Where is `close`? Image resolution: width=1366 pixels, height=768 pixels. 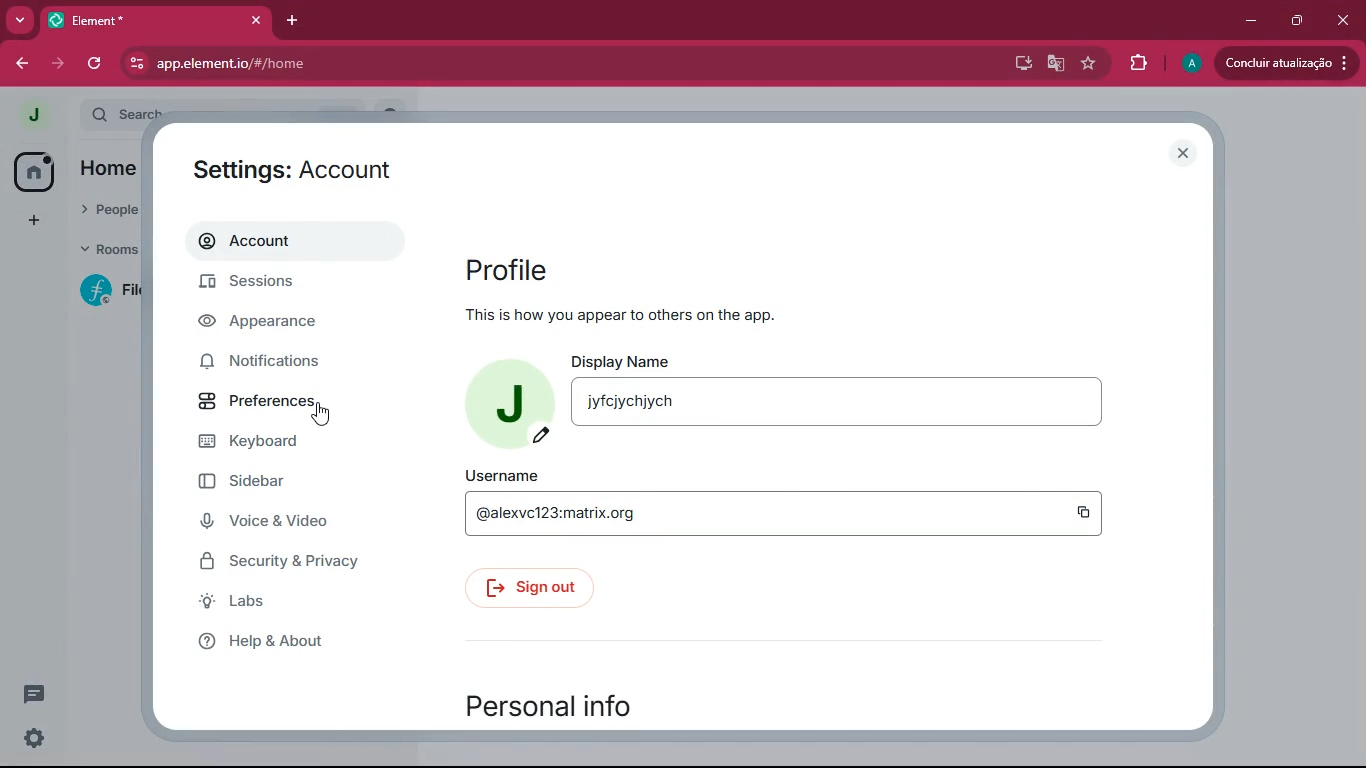 close is located at coordinates (1185, 155).